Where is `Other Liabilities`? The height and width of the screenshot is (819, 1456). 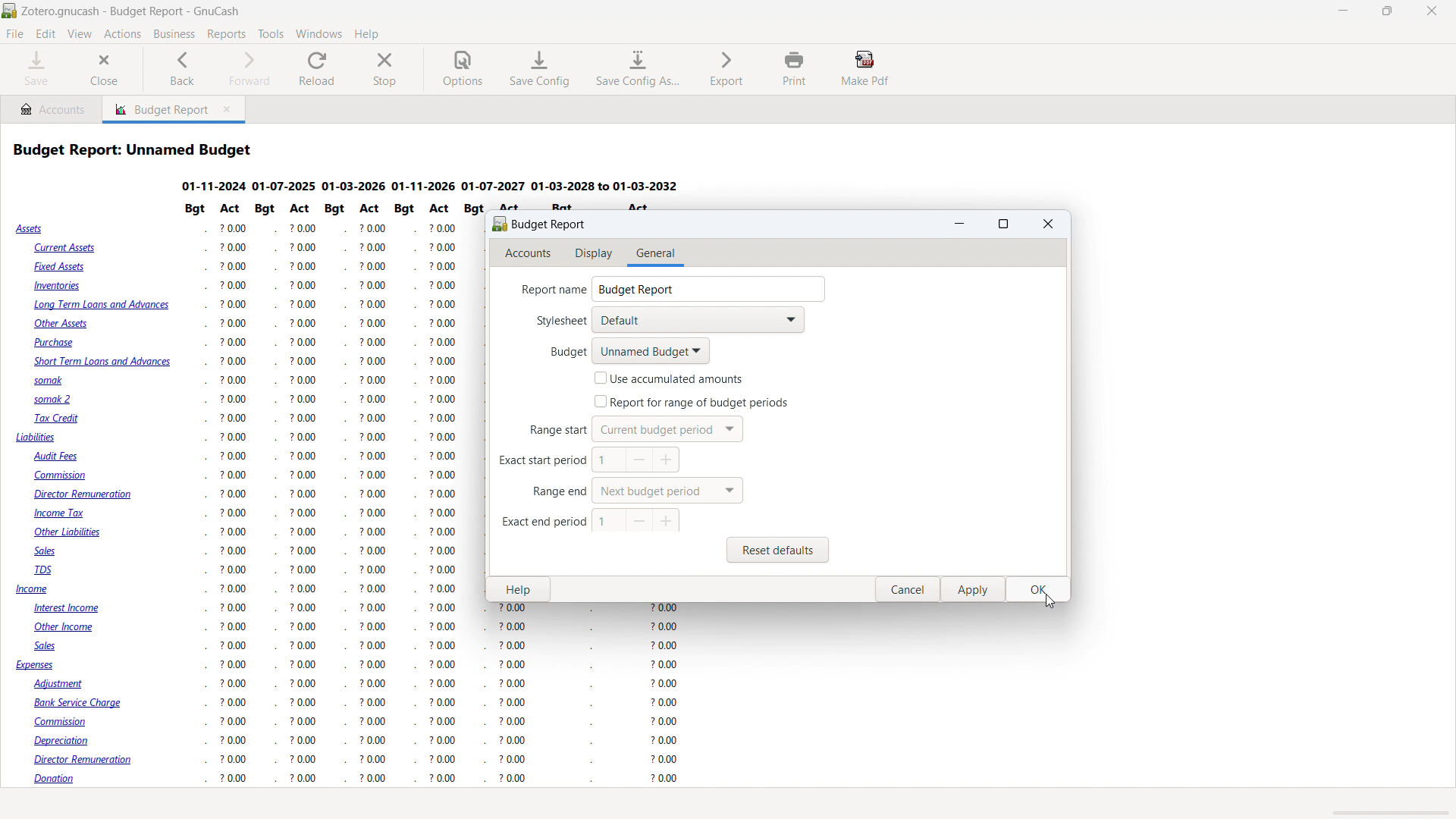 Other Liabilities is located at coordinates (71, 532).